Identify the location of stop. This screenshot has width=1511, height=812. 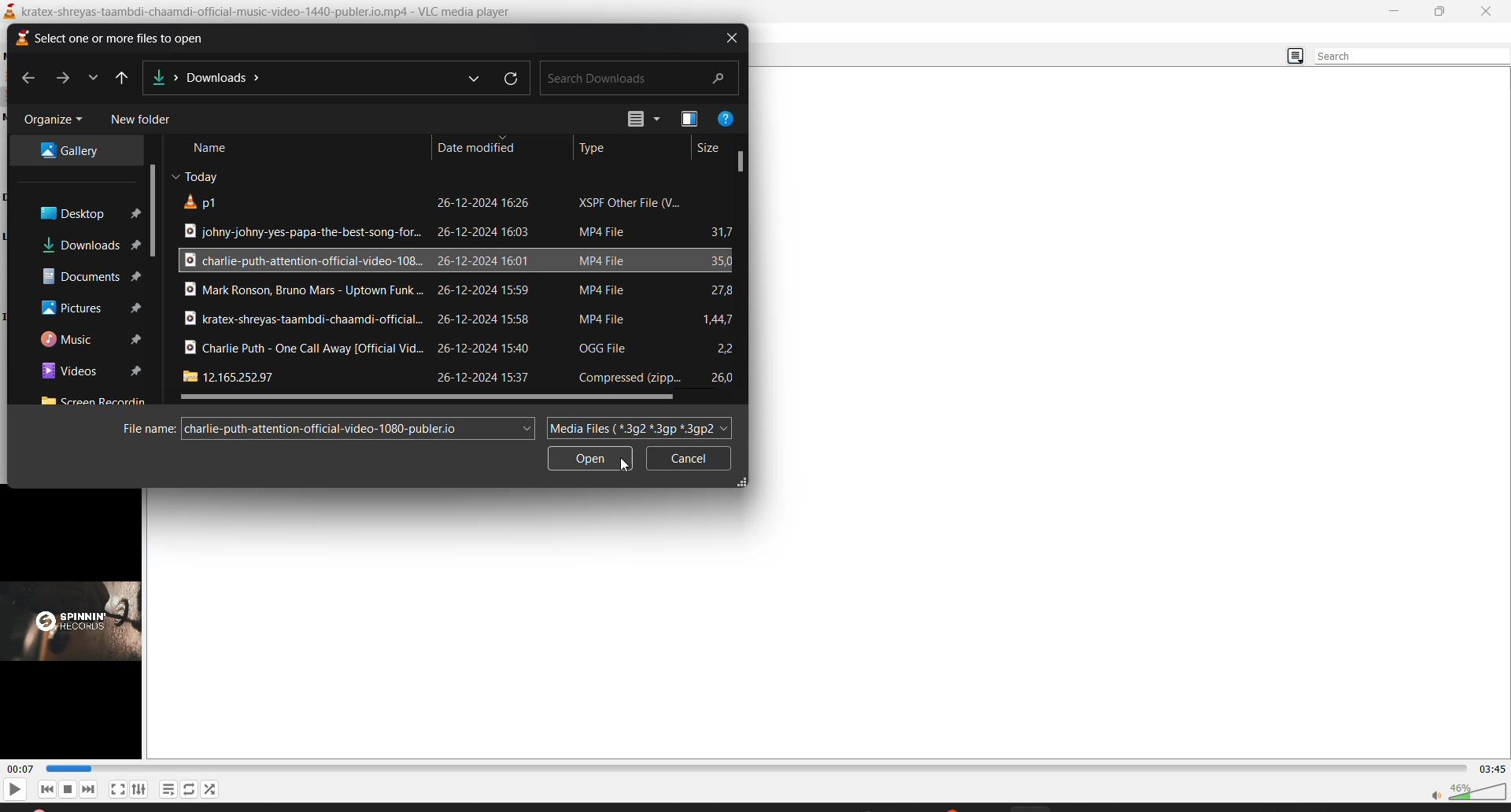
(68, 789).